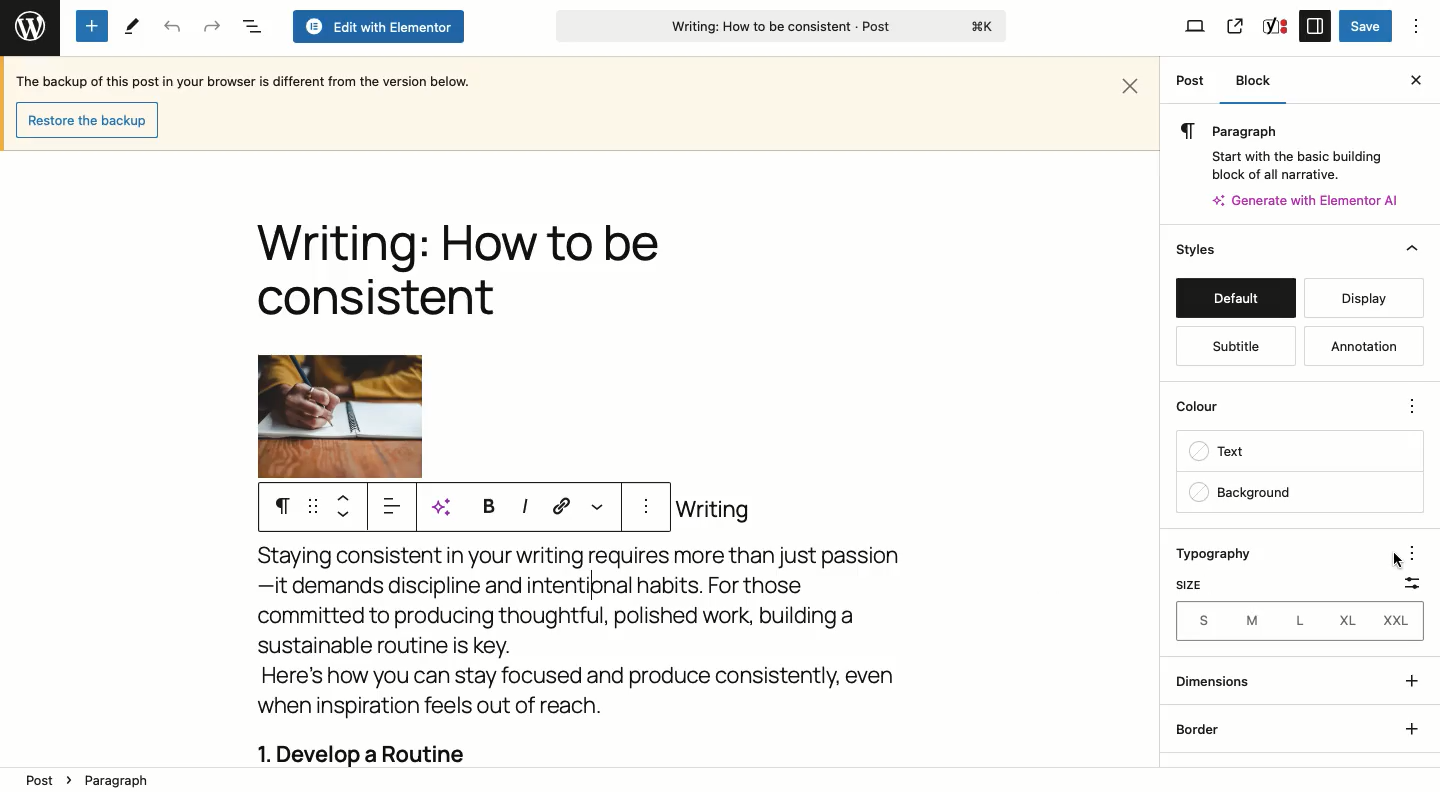  I want to click on Edit with elementor, so click(377, 27).